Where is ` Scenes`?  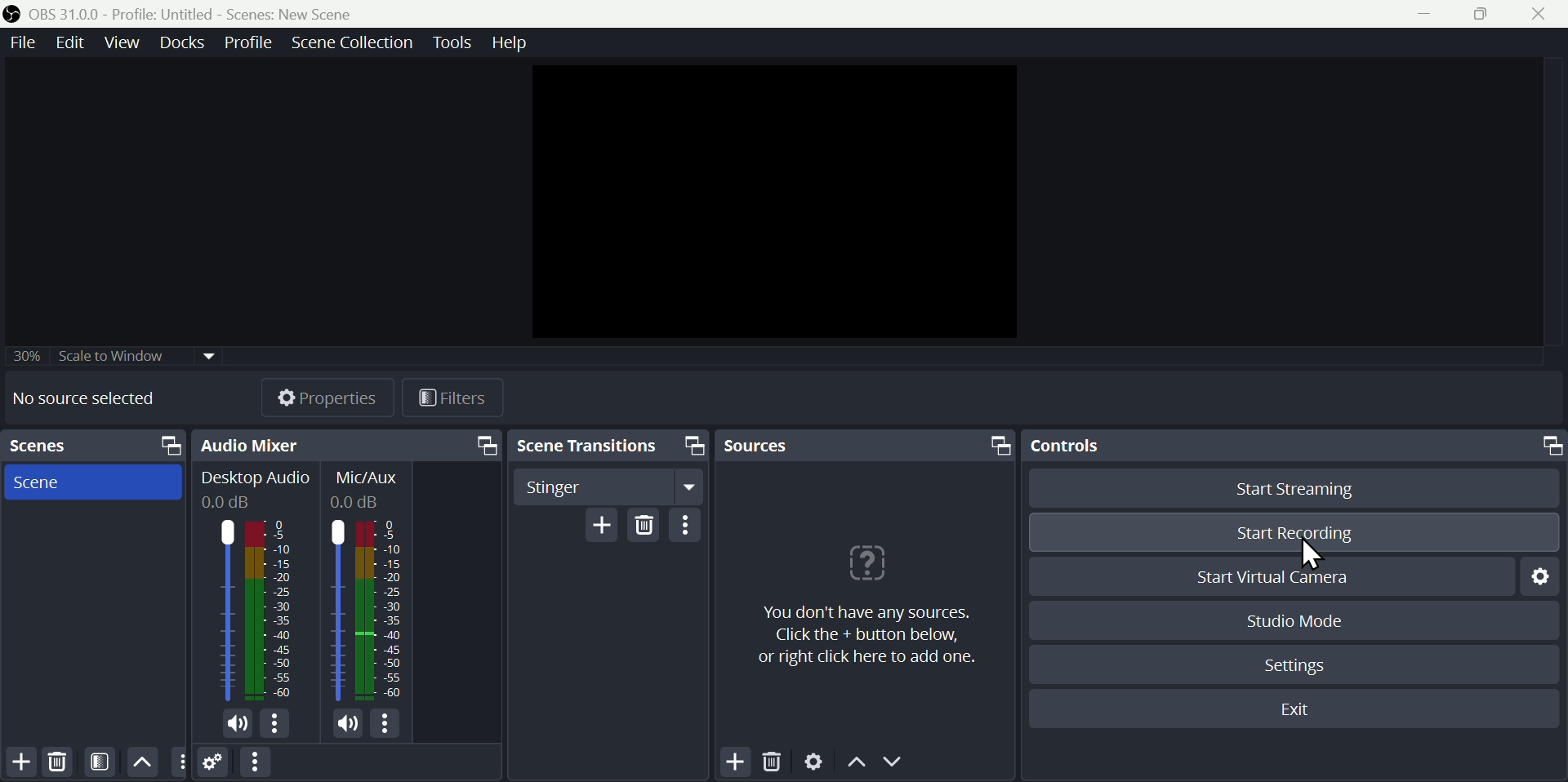  Scenes is located at coordinates (44, 484).